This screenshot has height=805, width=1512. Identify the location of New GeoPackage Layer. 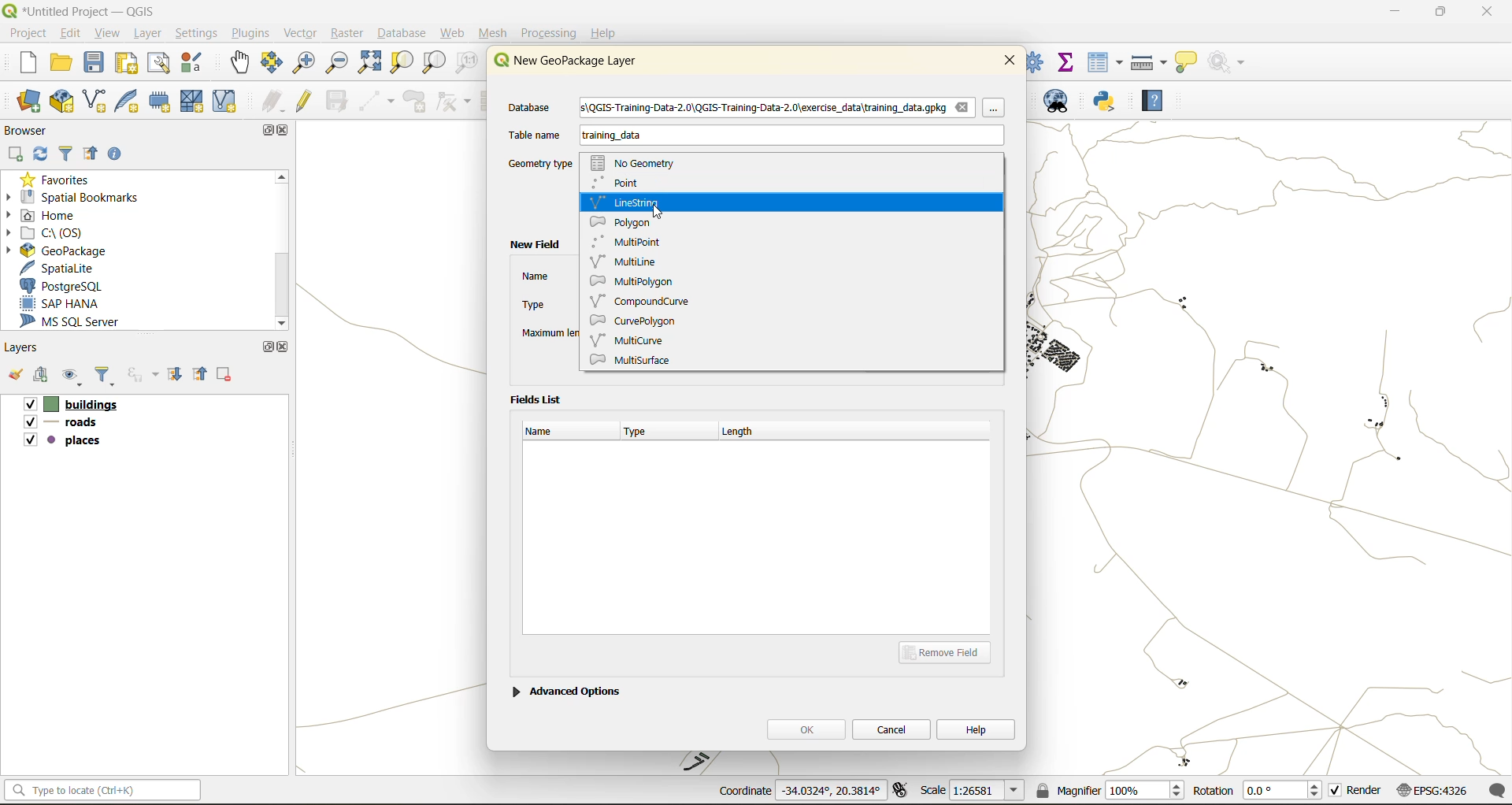
(561, 61).